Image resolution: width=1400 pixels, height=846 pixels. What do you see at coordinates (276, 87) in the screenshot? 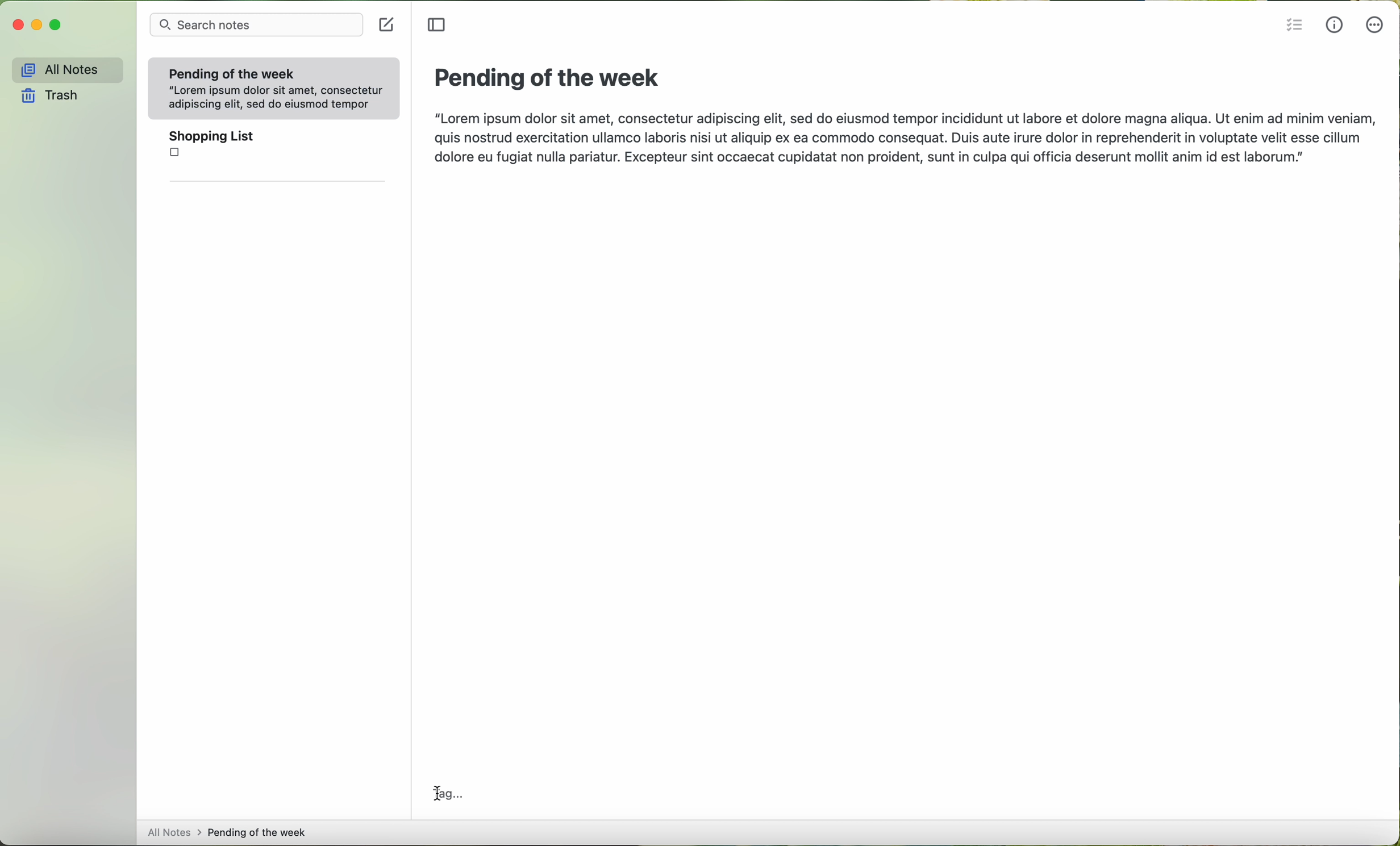
I see `Pending of the week
“Lorem ipsum dolor sit amet, consectetur
adipiscing elit, sed do eiusmod tempor` at bounding box center [276, 87].